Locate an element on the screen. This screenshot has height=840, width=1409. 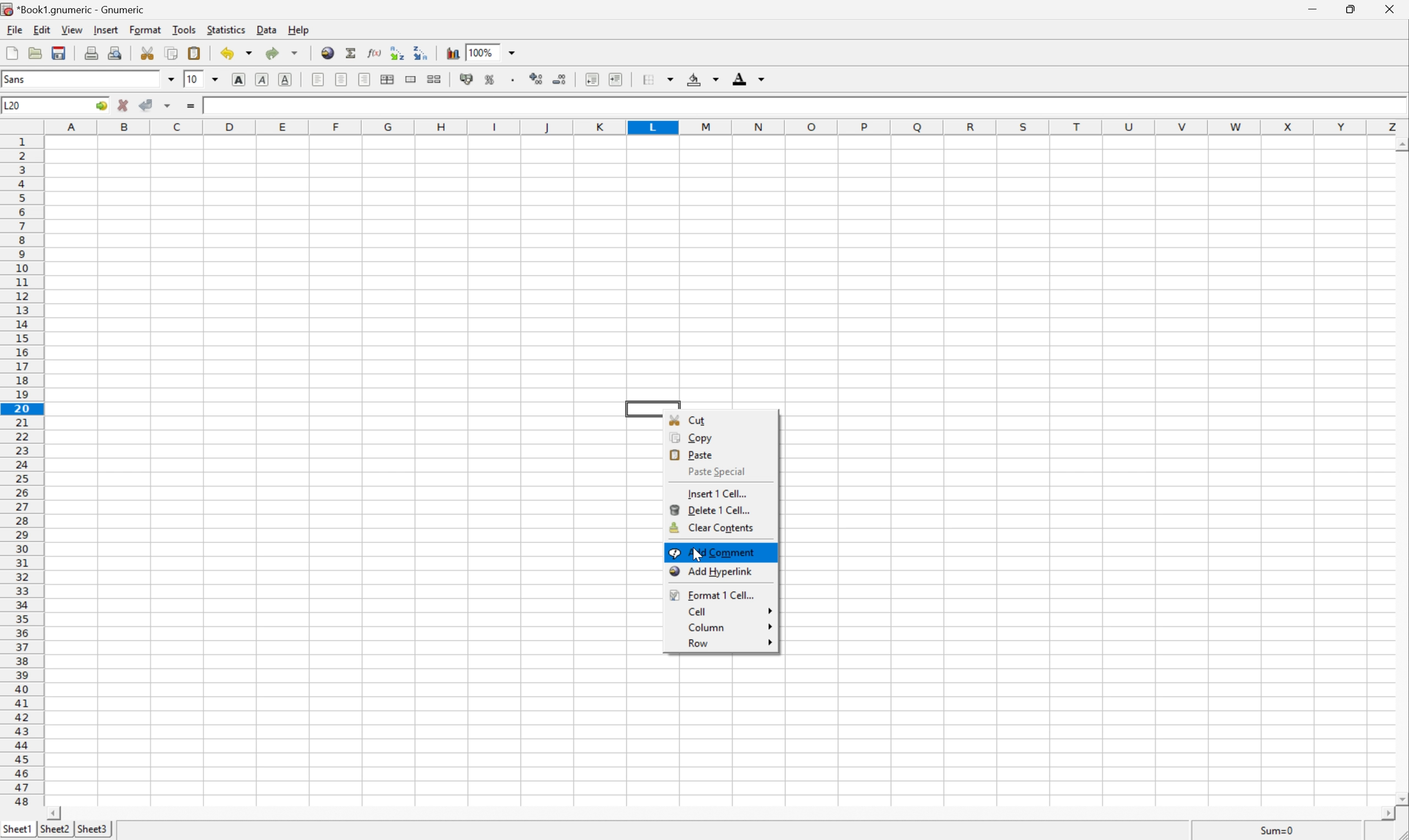
Center Horizontally is located at coordinates (342, 80).